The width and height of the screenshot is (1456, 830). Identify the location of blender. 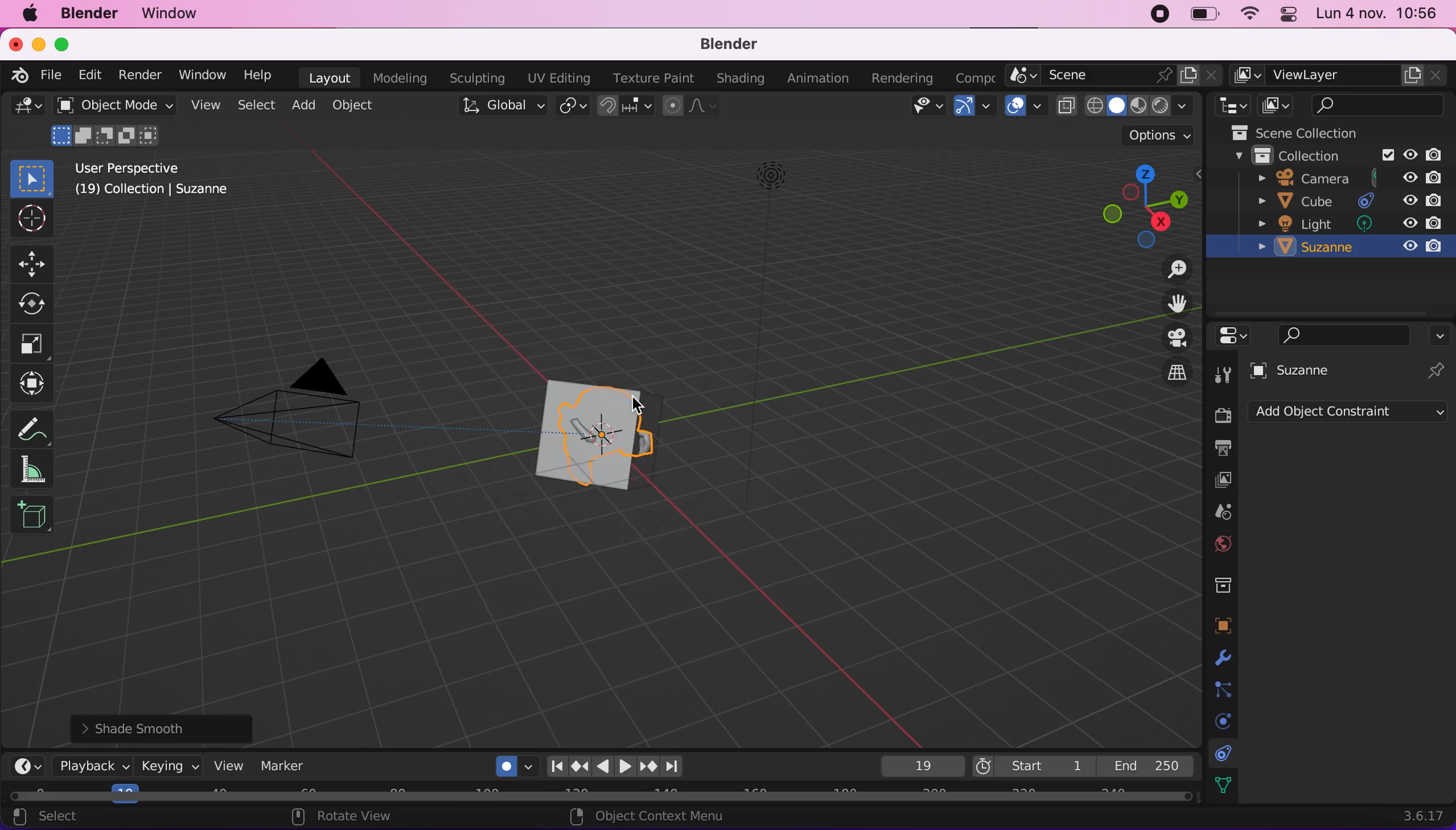
(91, 14).